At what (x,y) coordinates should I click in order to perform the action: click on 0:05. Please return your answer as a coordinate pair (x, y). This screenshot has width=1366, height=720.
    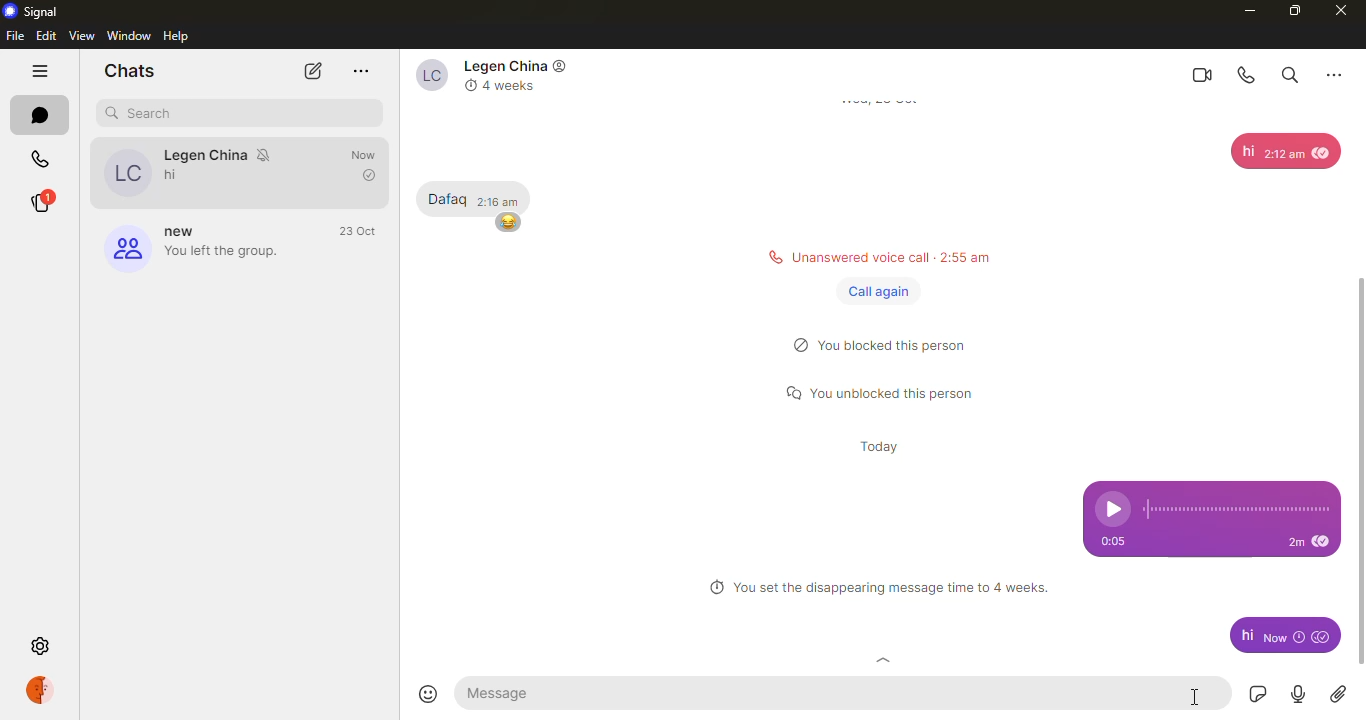
    Looking at the image, I should click on (1121, 539).